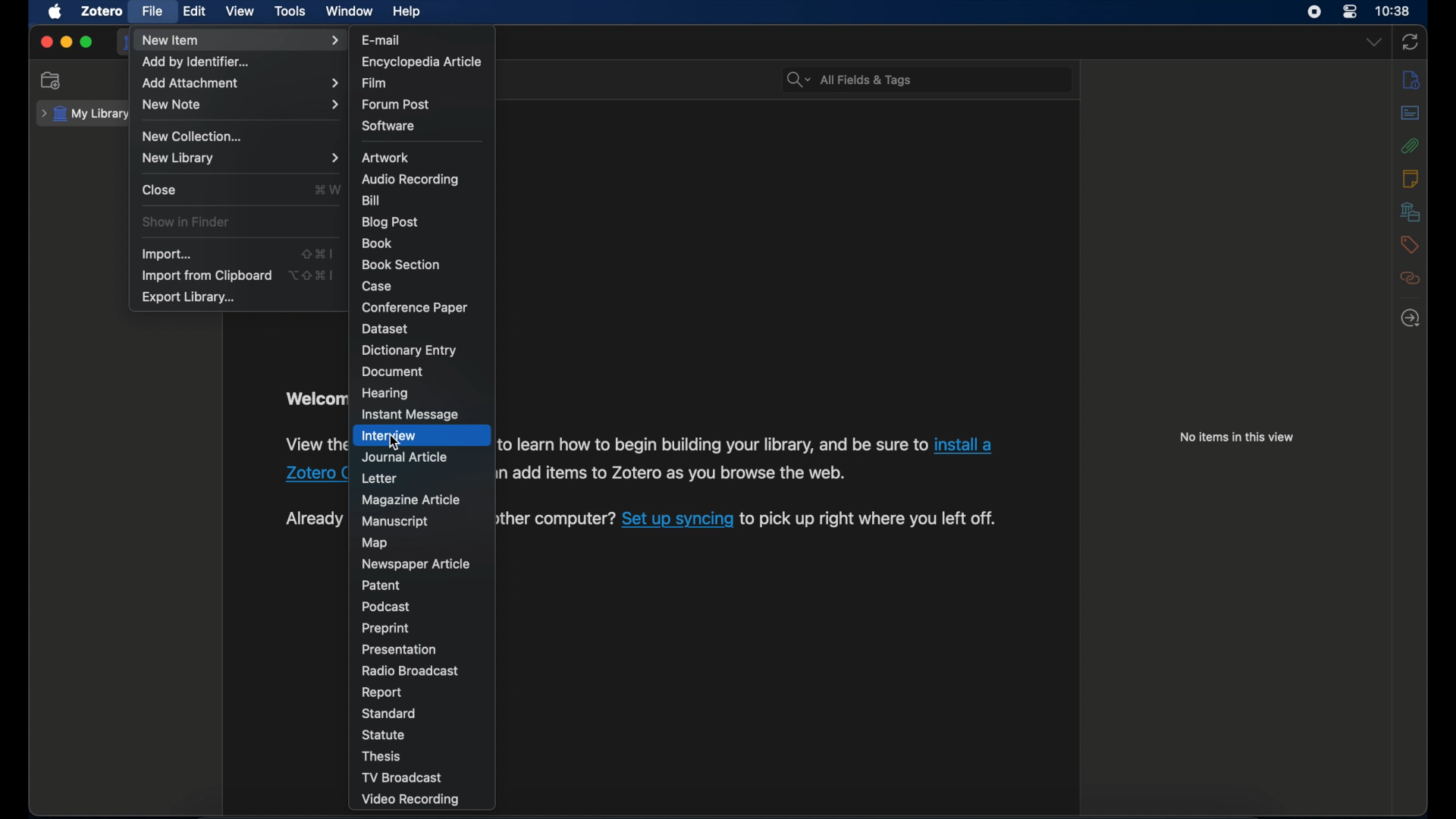  What do you see at coordinates (682, 475) in the screenshot?
I see `add items to Zotero as you browse the web` at bounding box center [682, 475].